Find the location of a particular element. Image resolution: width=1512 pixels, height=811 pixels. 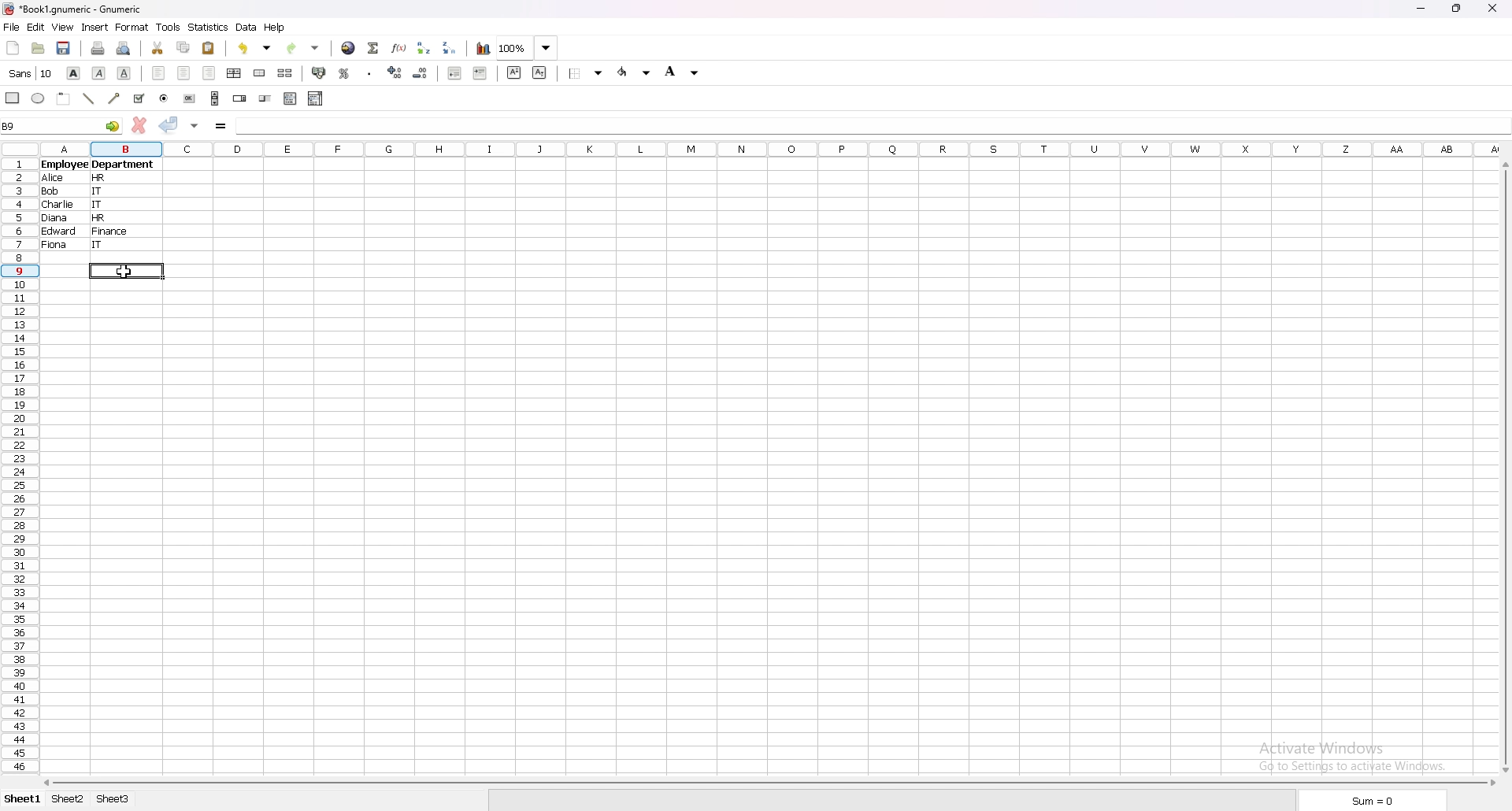

print is located at coordinates (98, 48).